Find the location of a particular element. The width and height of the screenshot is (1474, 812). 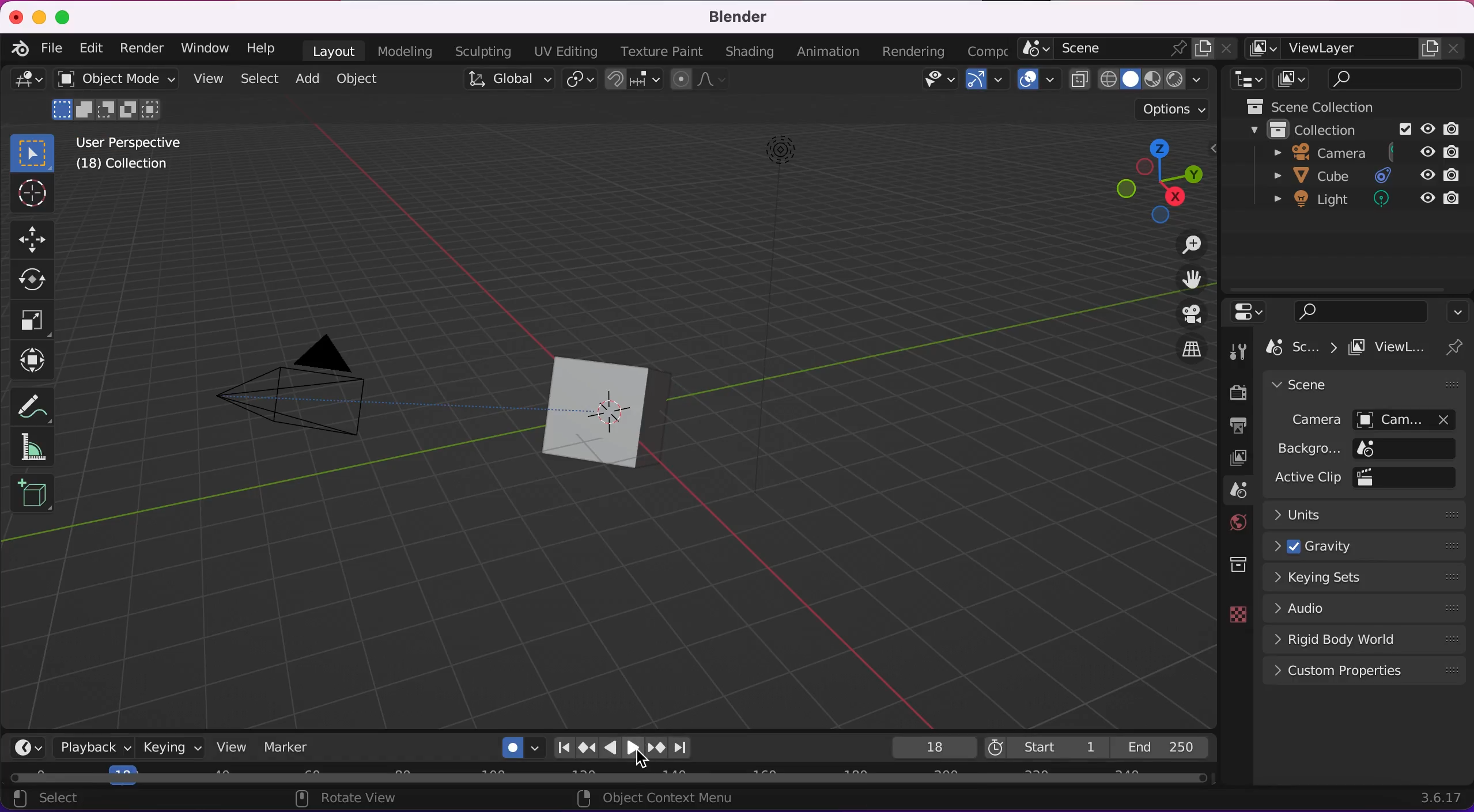

select is located at coordinates (52, 800).